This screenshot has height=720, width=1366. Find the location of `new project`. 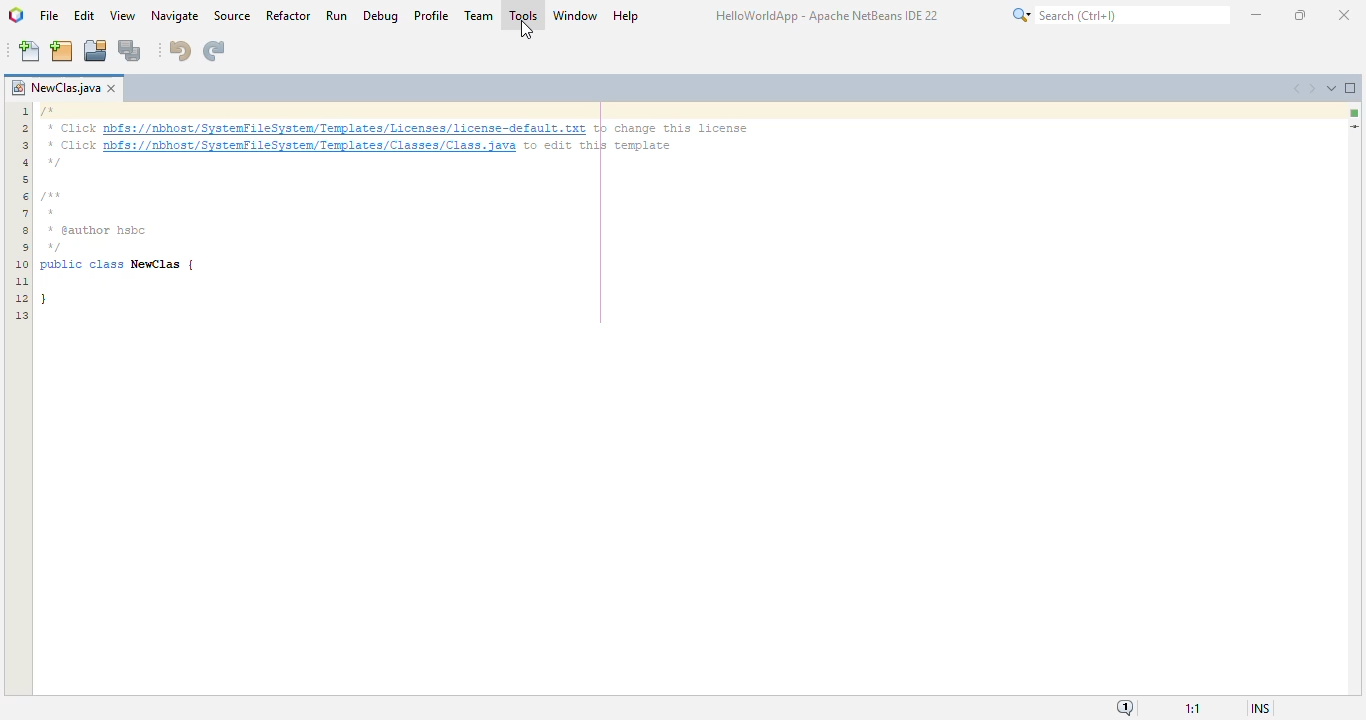

new project is located at coordinates (62, 50).